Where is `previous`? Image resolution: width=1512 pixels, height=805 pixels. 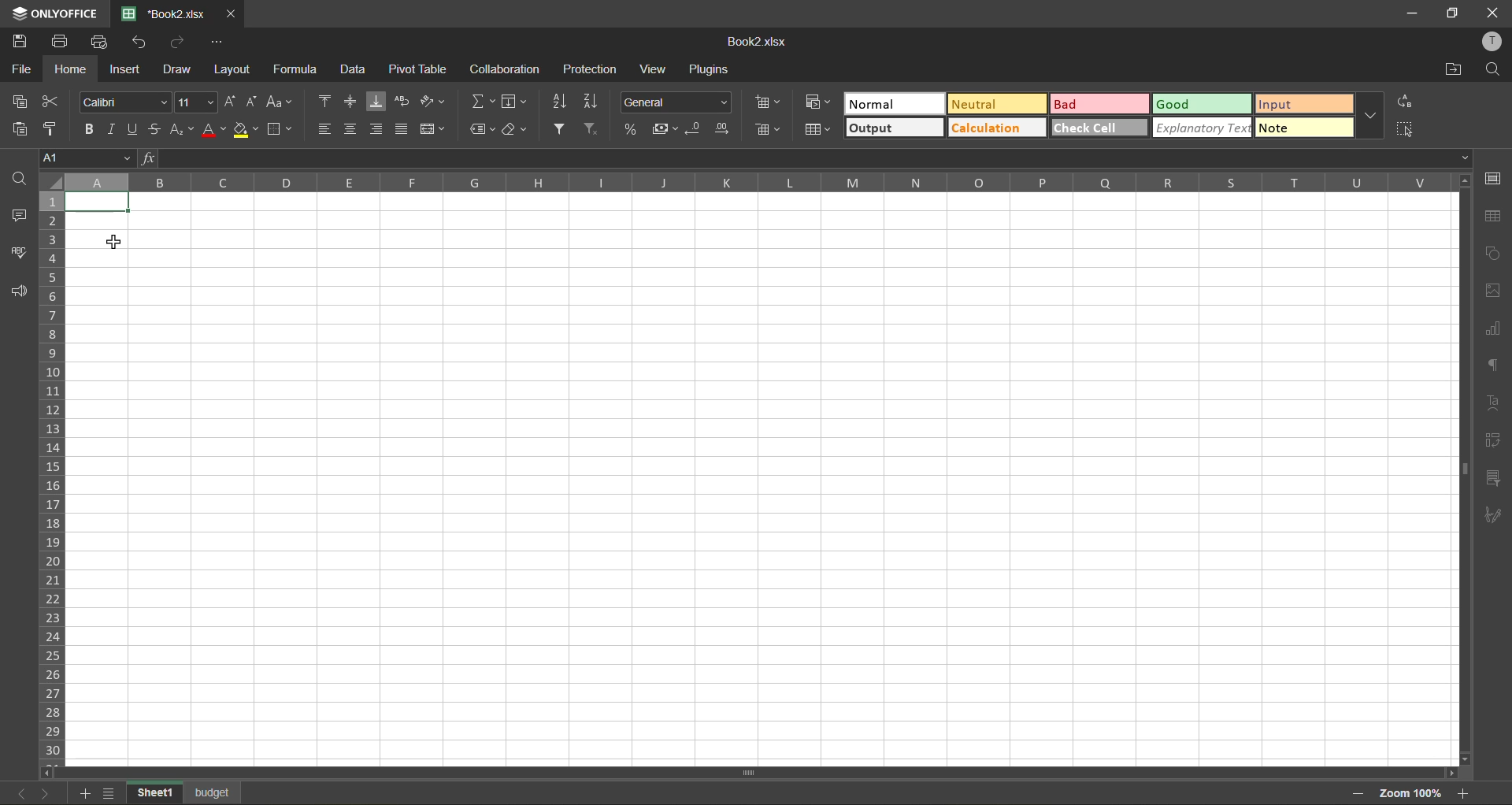
previous is located at coordinates (13, 792).